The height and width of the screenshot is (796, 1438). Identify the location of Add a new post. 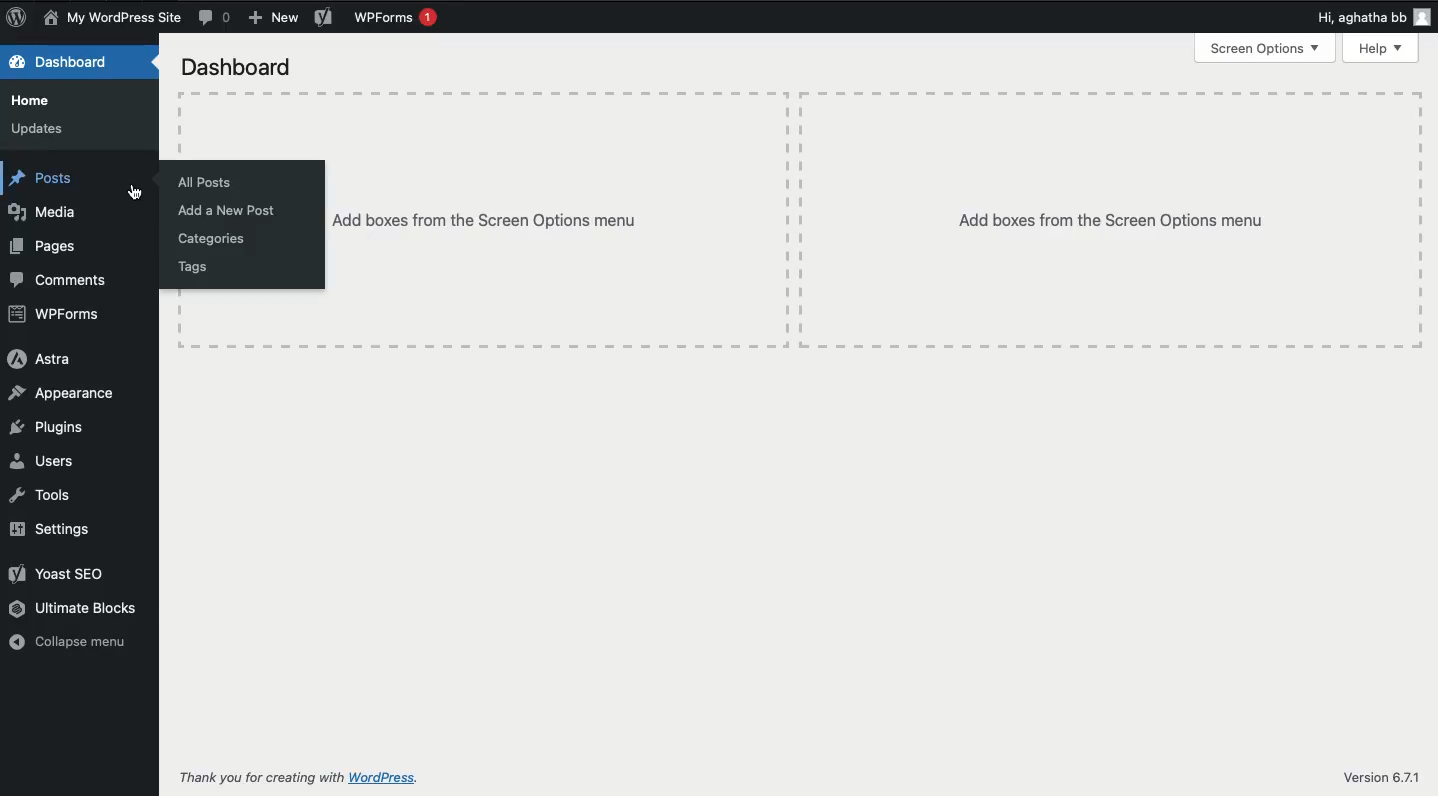
(227, 211).